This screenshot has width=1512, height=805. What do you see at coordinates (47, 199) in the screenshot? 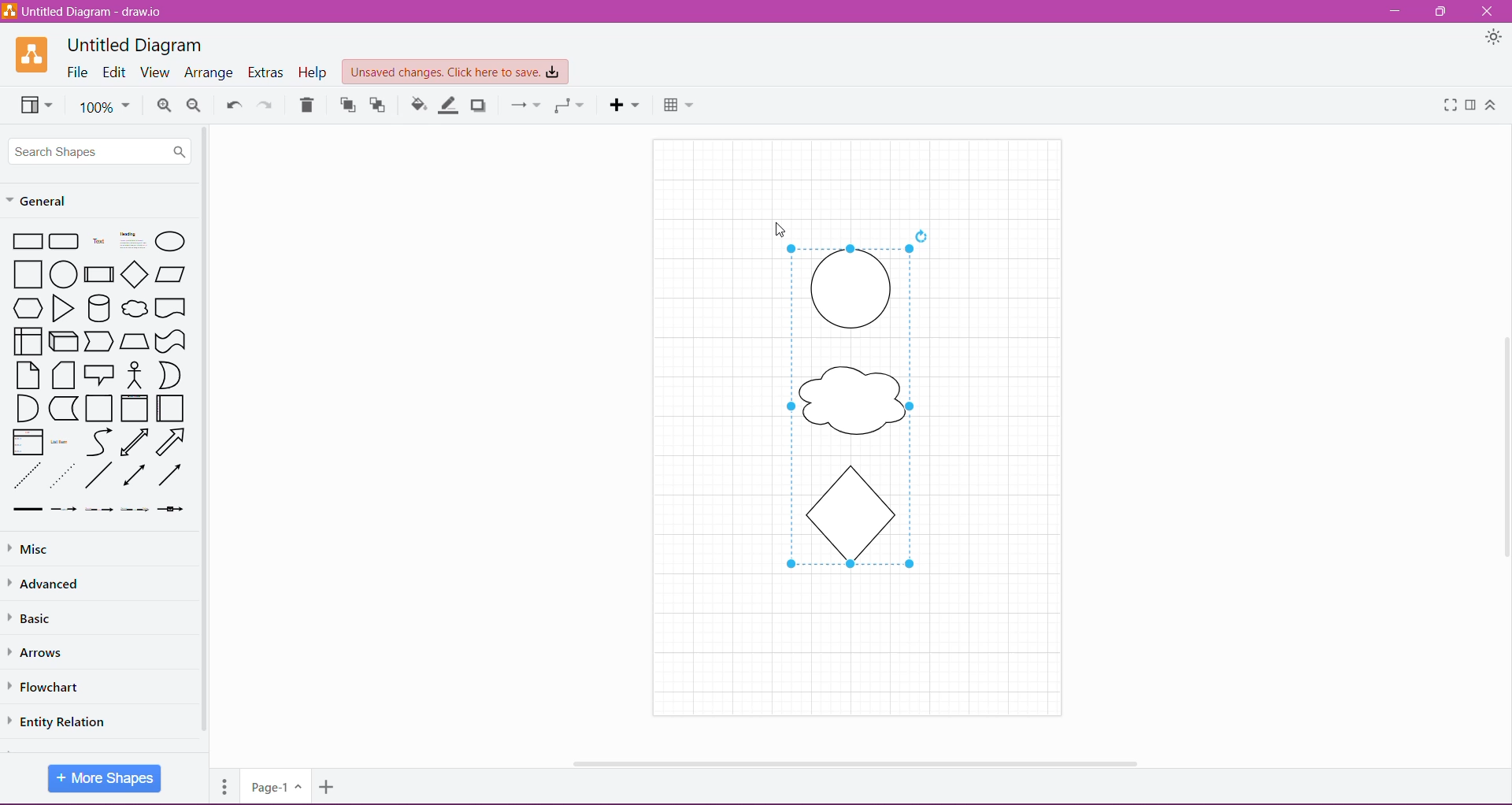
I see `General` at bounding box center [47, 199].